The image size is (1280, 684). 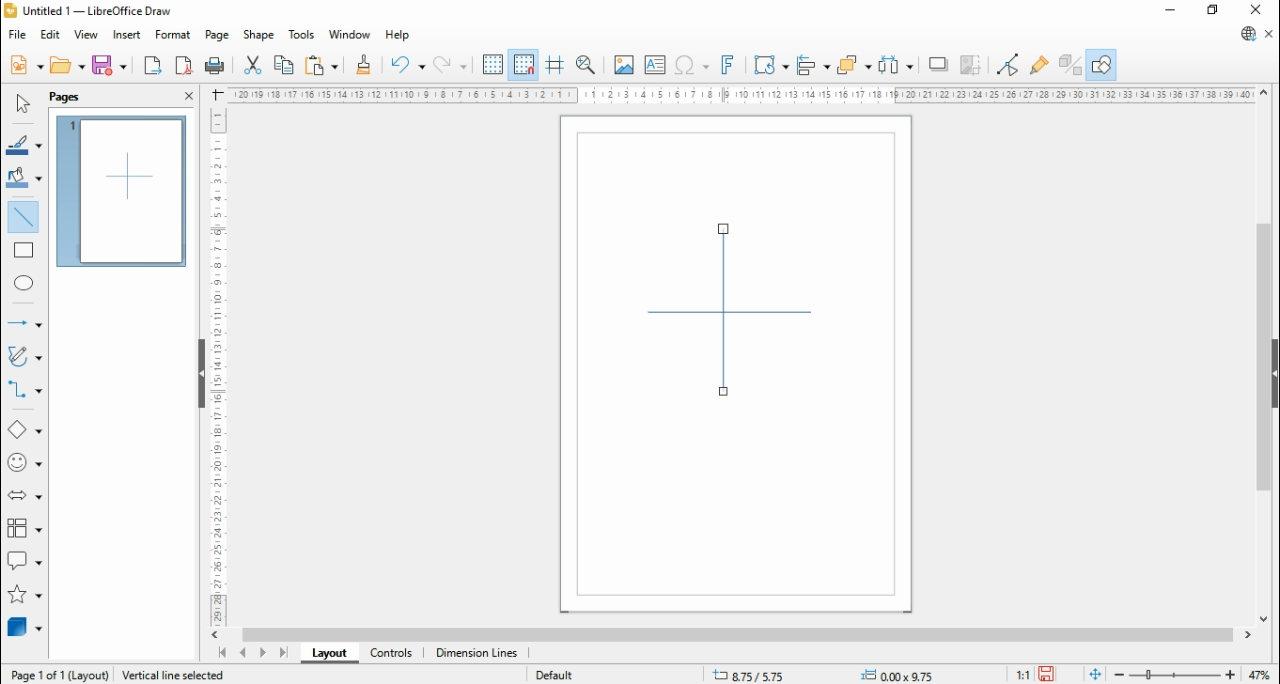 I want to click on crop, so click(x=975, y=64).